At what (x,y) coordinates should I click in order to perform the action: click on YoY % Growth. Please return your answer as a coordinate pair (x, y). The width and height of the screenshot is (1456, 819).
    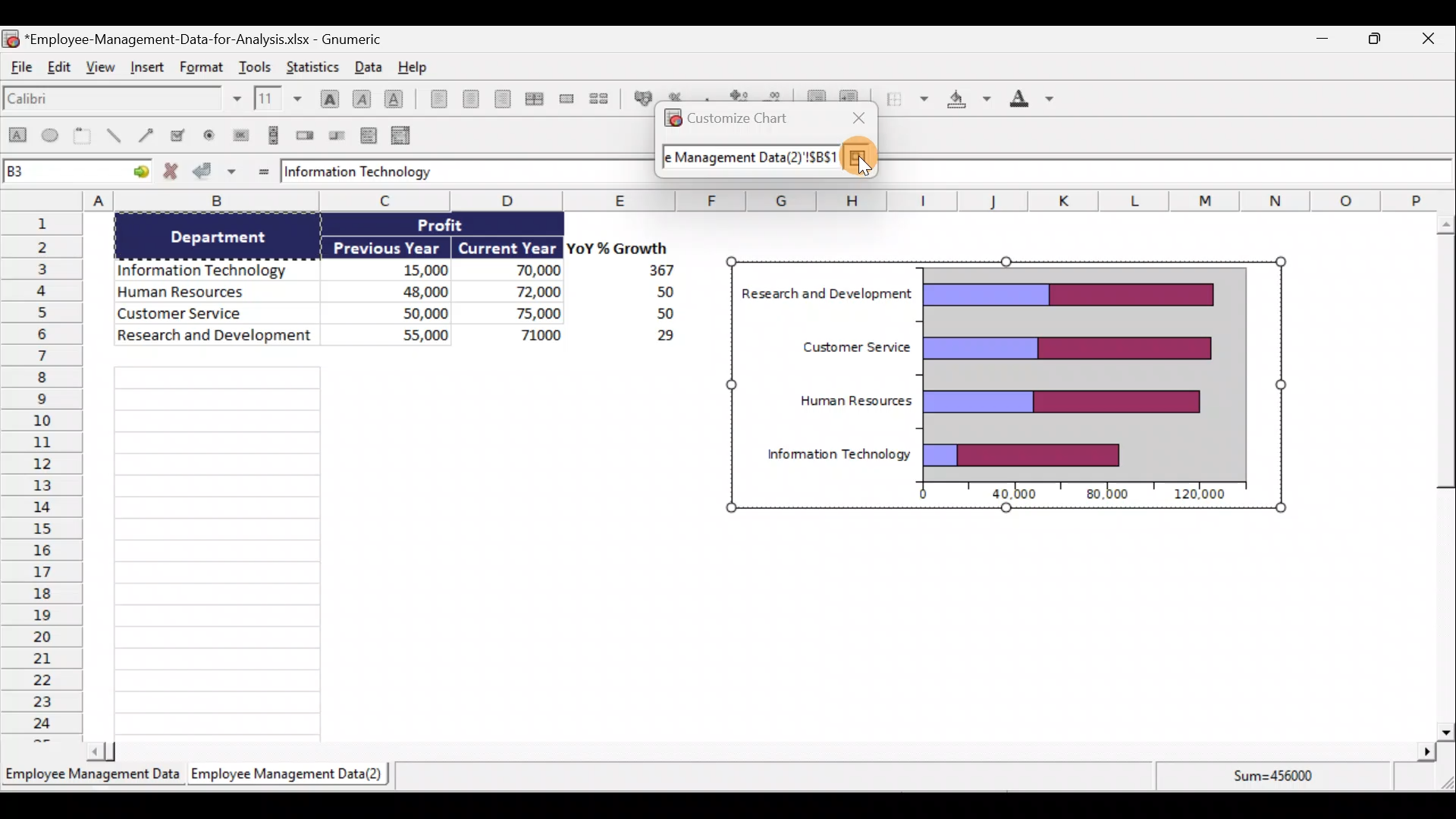
    Looking at the image, I should click on (611, 247).